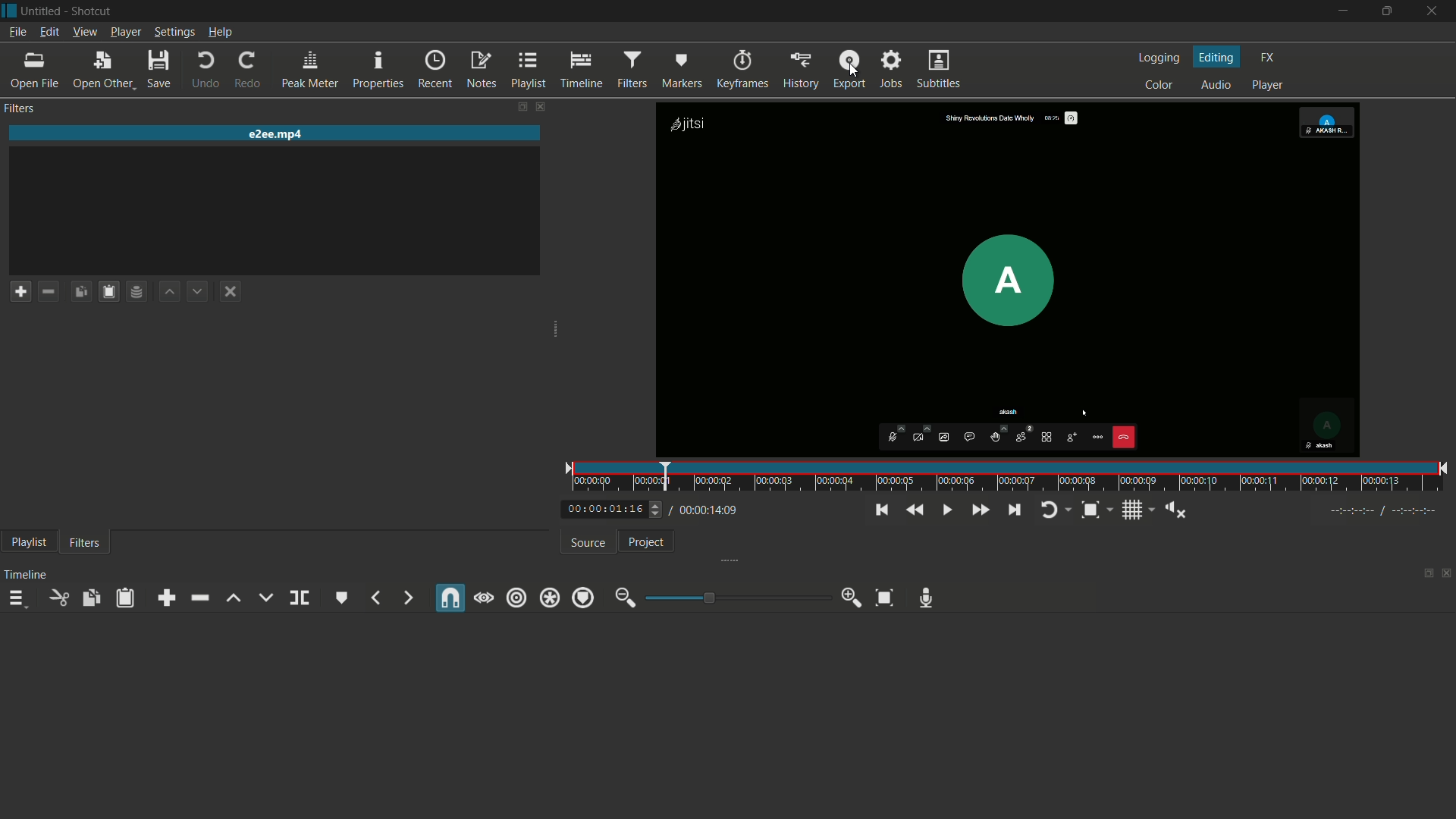 The width and height of the screenshot is (1456, 819). Describe the element at coordinates (84, 541) in the screenshot. I see `filters` at that location.